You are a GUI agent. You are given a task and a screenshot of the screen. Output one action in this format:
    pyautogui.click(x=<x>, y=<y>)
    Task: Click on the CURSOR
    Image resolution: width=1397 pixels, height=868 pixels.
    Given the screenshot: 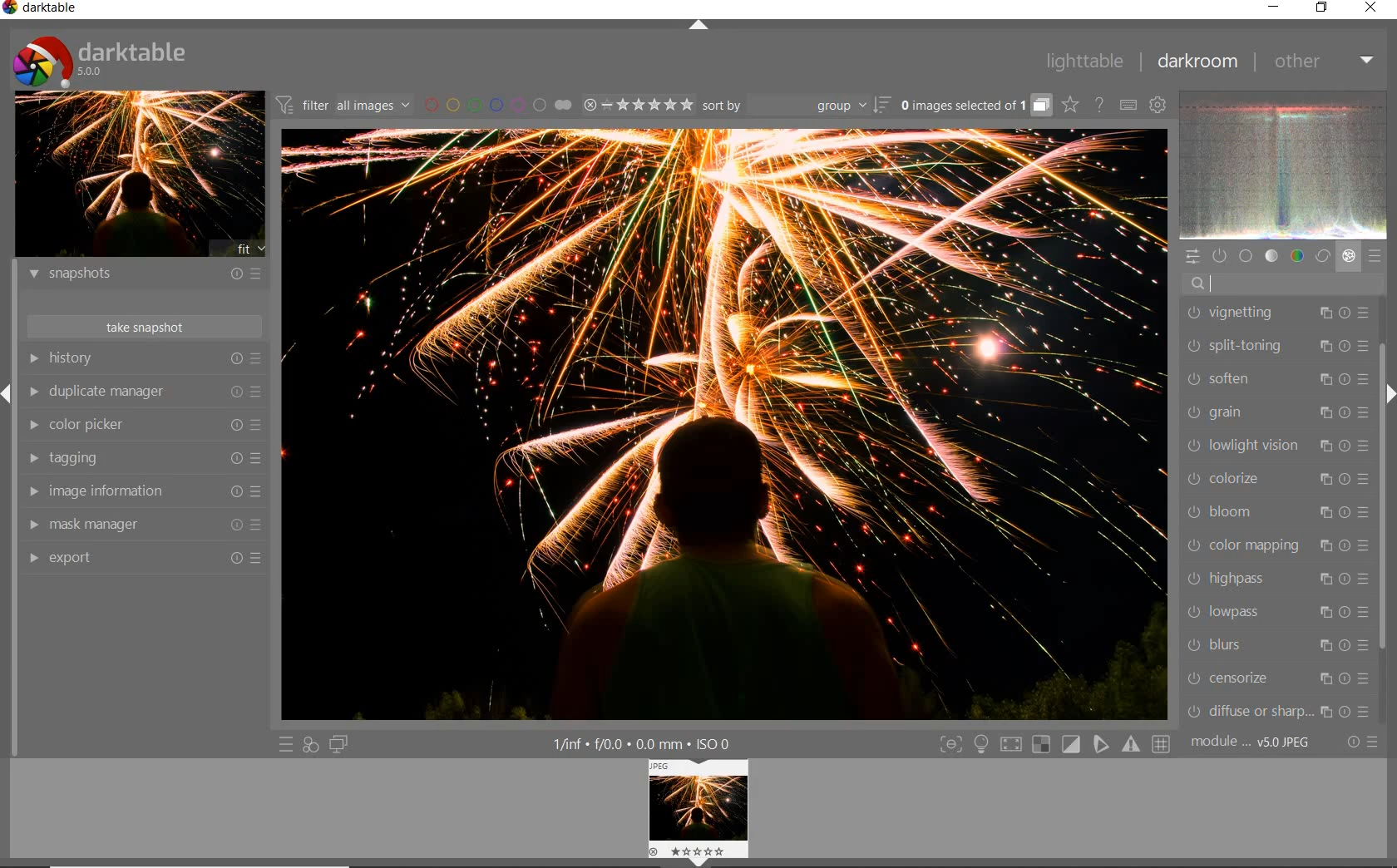 What is the action you would take?
    pyautogui.click(x=1238, y=282)
    